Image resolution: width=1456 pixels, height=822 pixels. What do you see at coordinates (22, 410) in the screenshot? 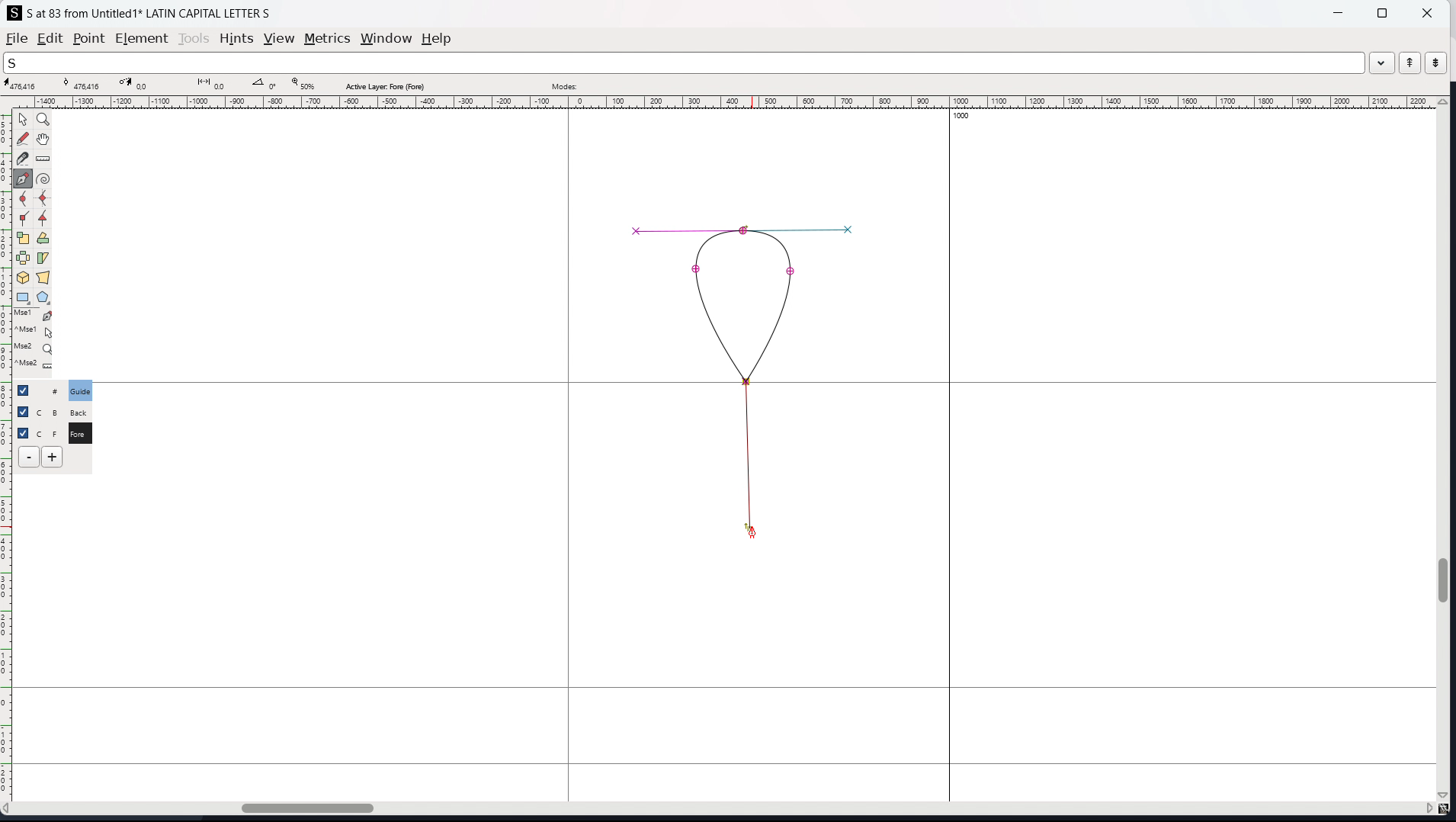
I see `checkbox` at bounding box center [22, 410].